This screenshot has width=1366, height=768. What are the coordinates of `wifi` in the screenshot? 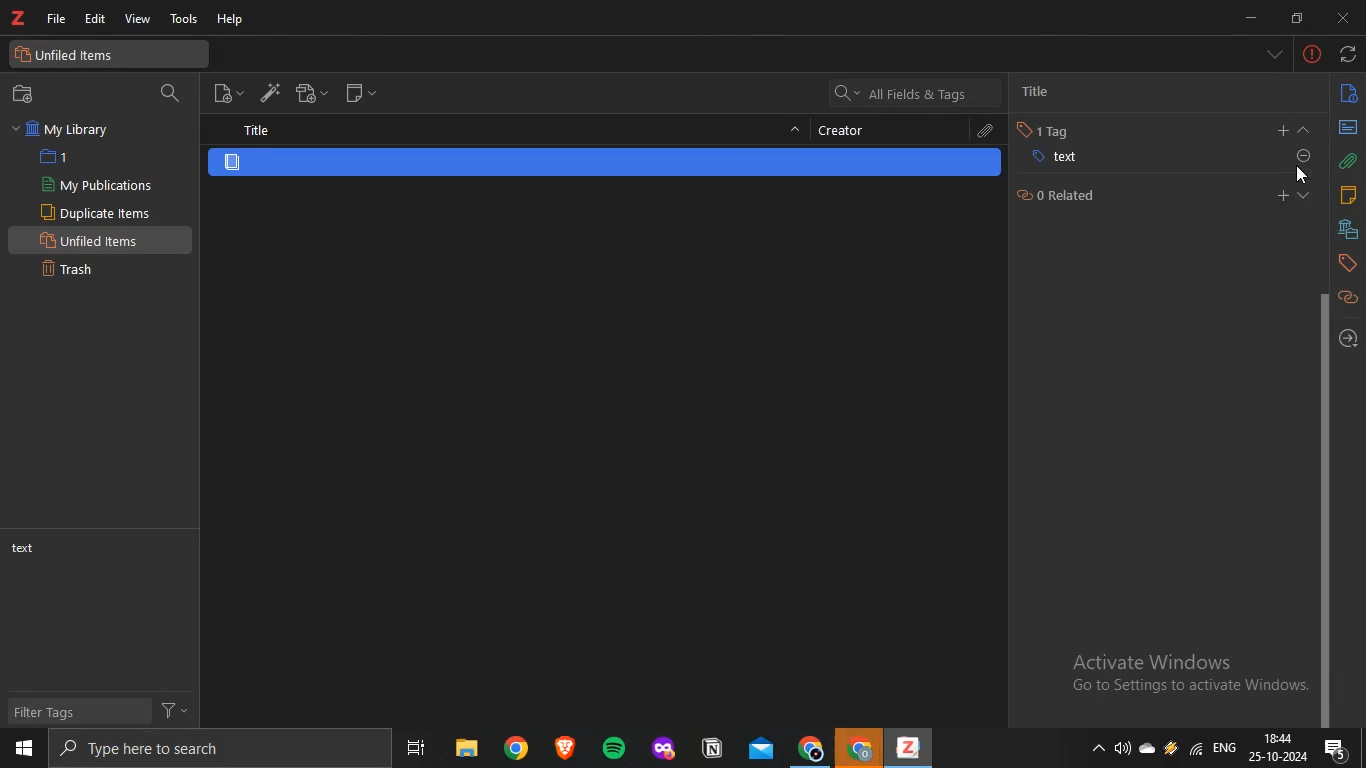 It's located at (1198, 749).